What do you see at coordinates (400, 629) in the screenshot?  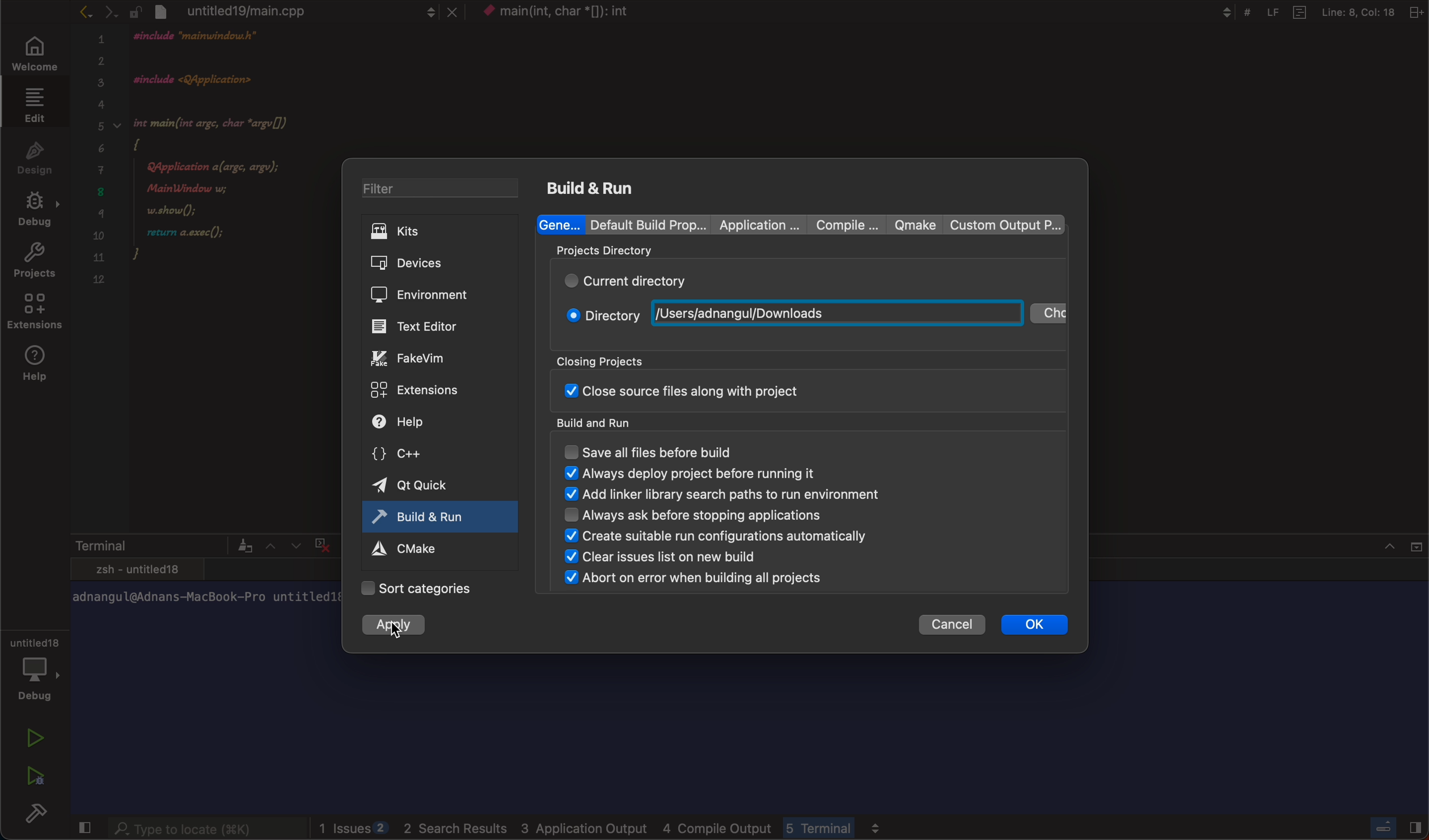 I see `cursor` at bounding box center [400, 629].